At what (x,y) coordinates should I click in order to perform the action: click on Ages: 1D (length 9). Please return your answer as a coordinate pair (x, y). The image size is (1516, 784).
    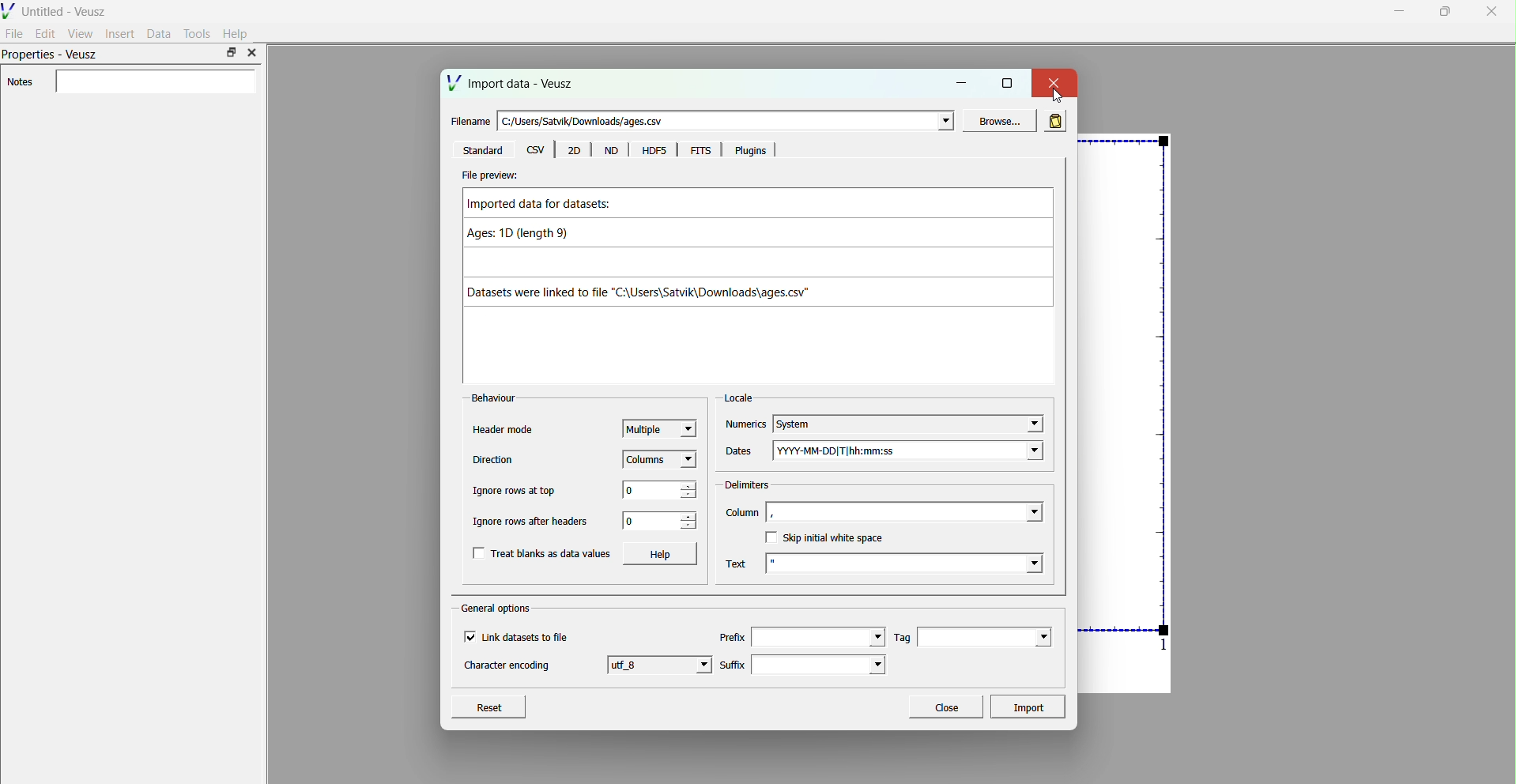
    Looking at the image, I should click on (529, 236).